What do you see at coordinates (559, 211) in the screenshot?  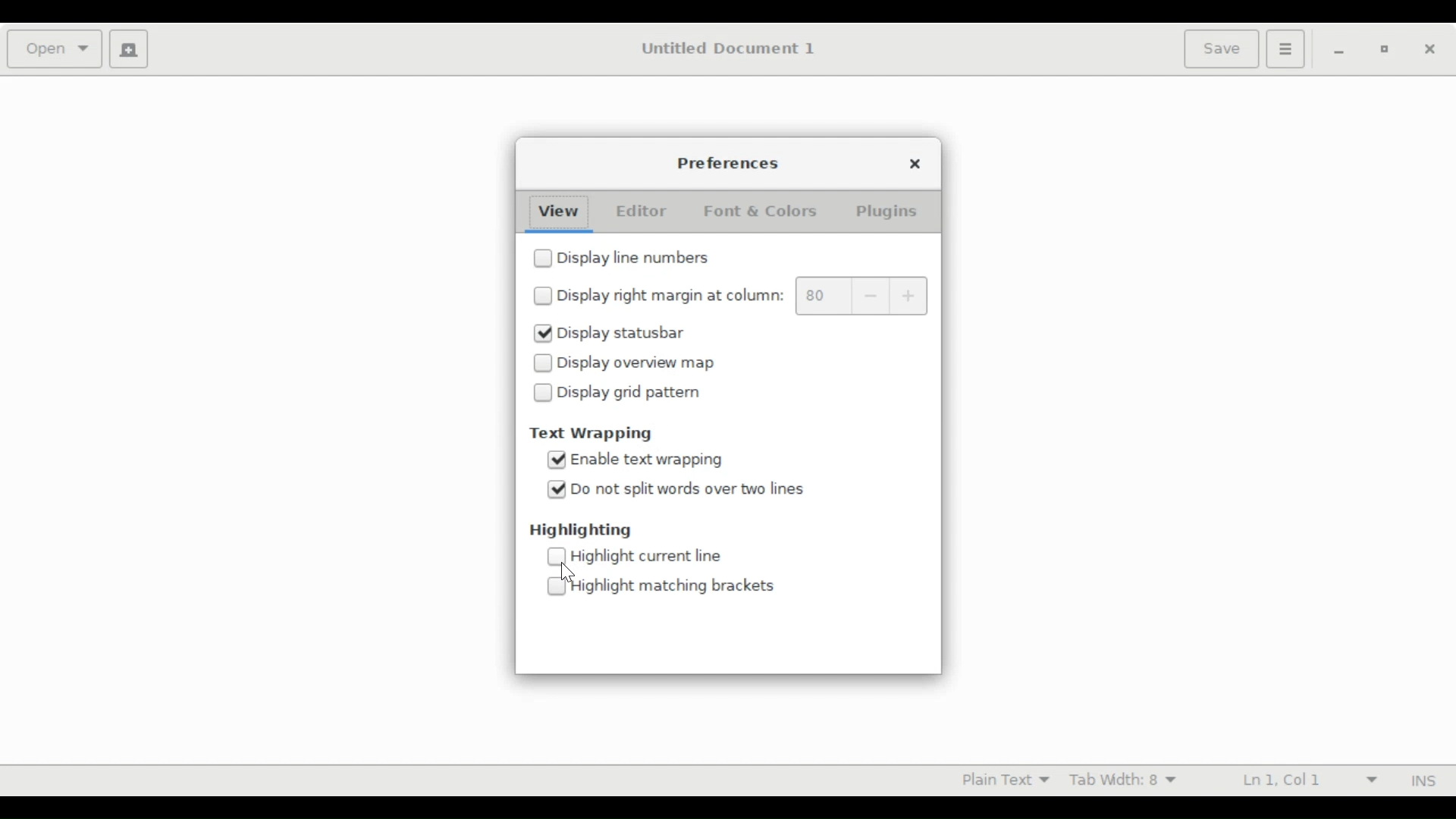 I see `View` at bounding box center [559, 211].